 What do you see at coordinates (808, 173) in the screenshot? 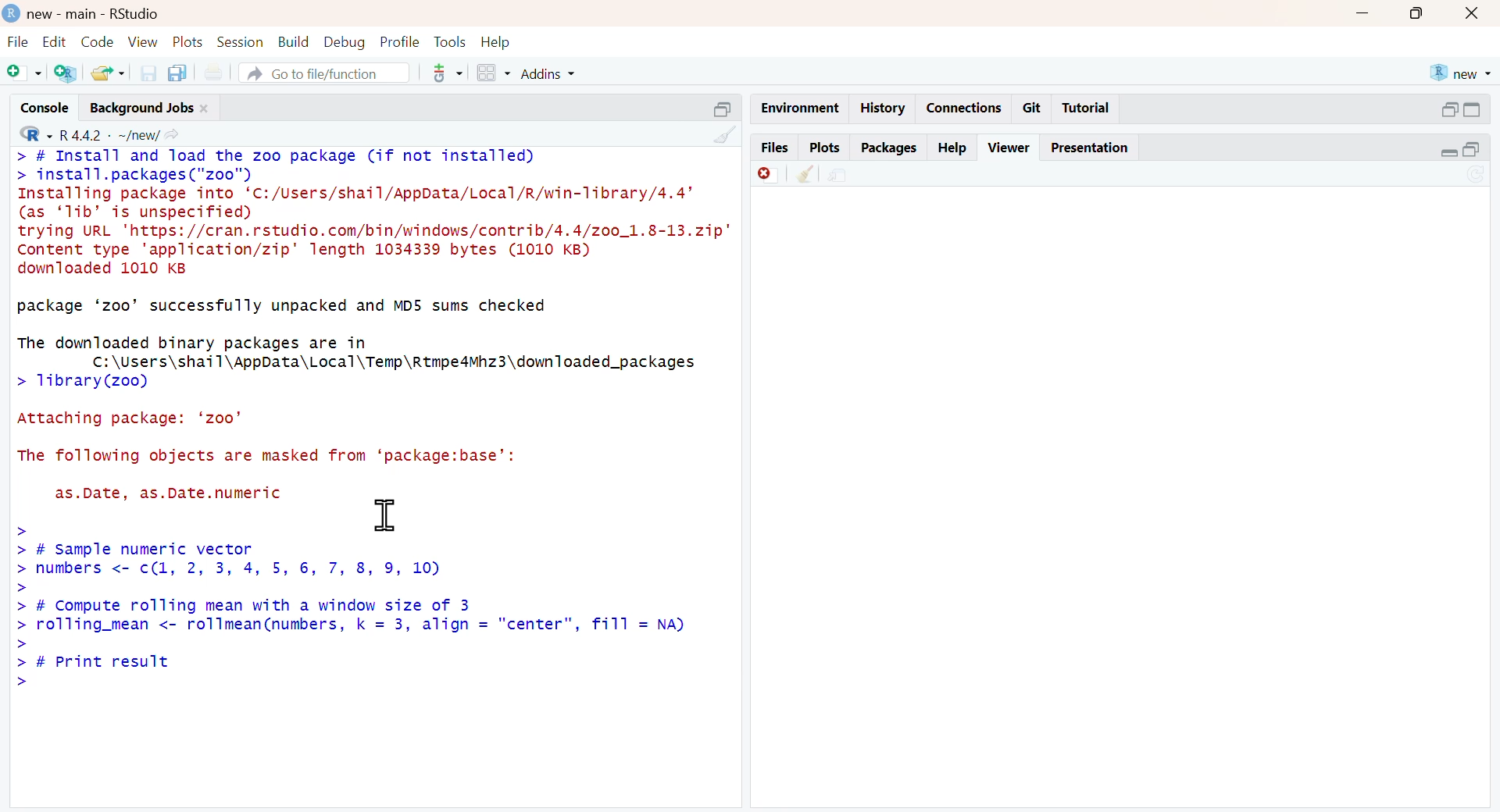
I see `clear` at bounding box center [808, 173].